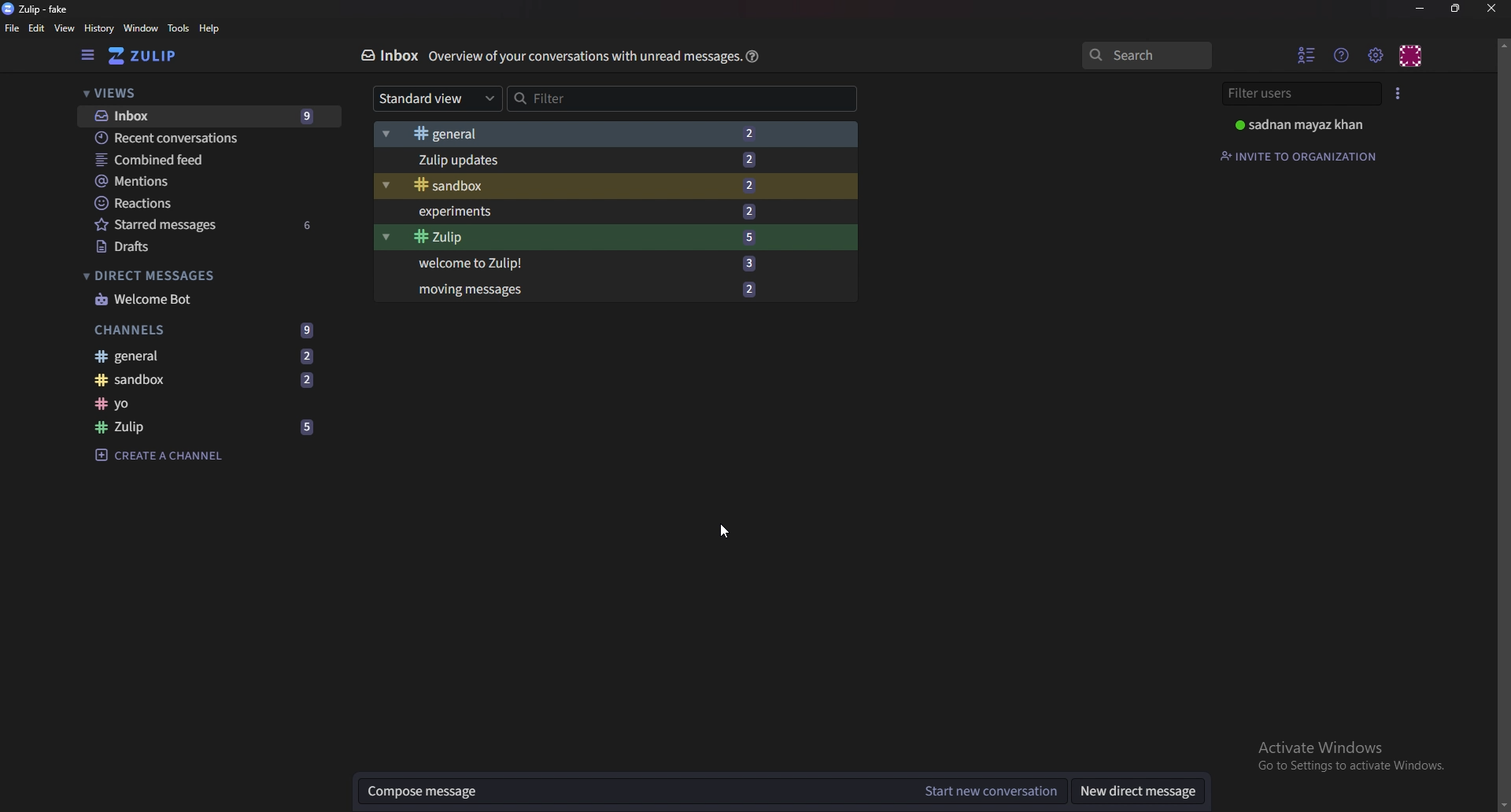 The image size is (1511, 812). Describe the element at coordinates (1420, 9) in the screenshot. I see `Minimize` at that location.